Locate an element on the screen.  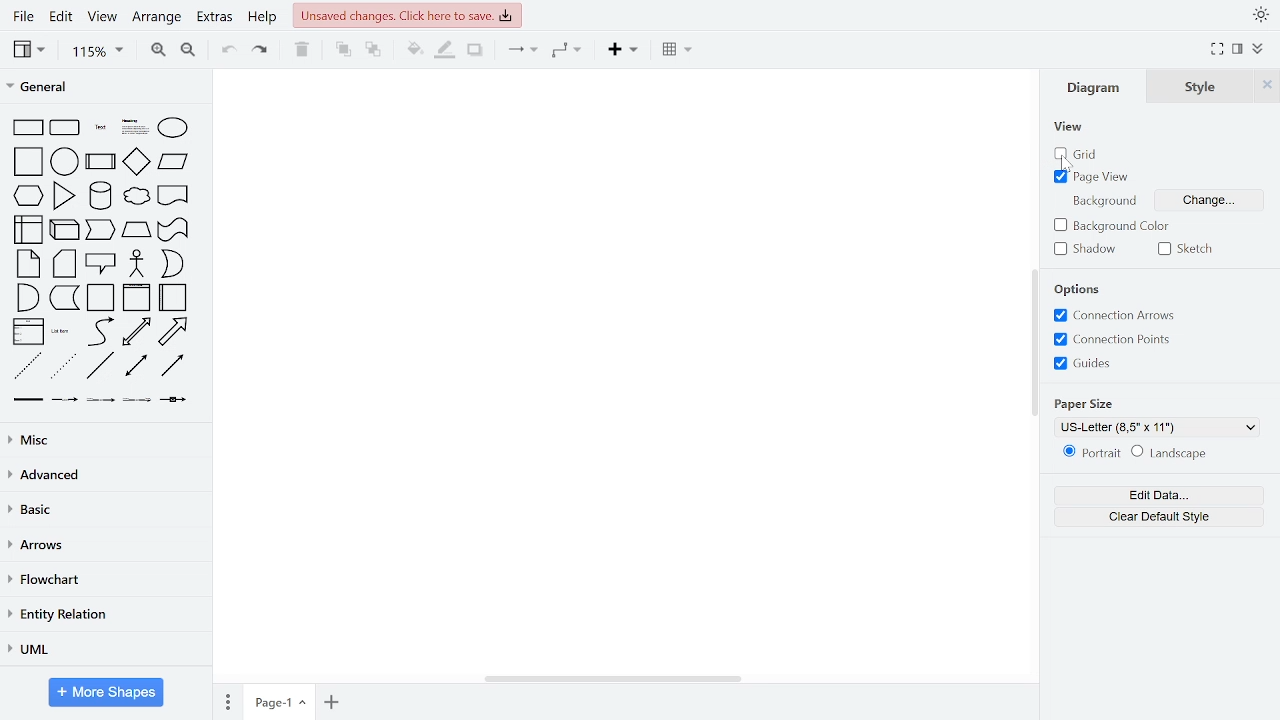
general is located at coordinates (102, 85).